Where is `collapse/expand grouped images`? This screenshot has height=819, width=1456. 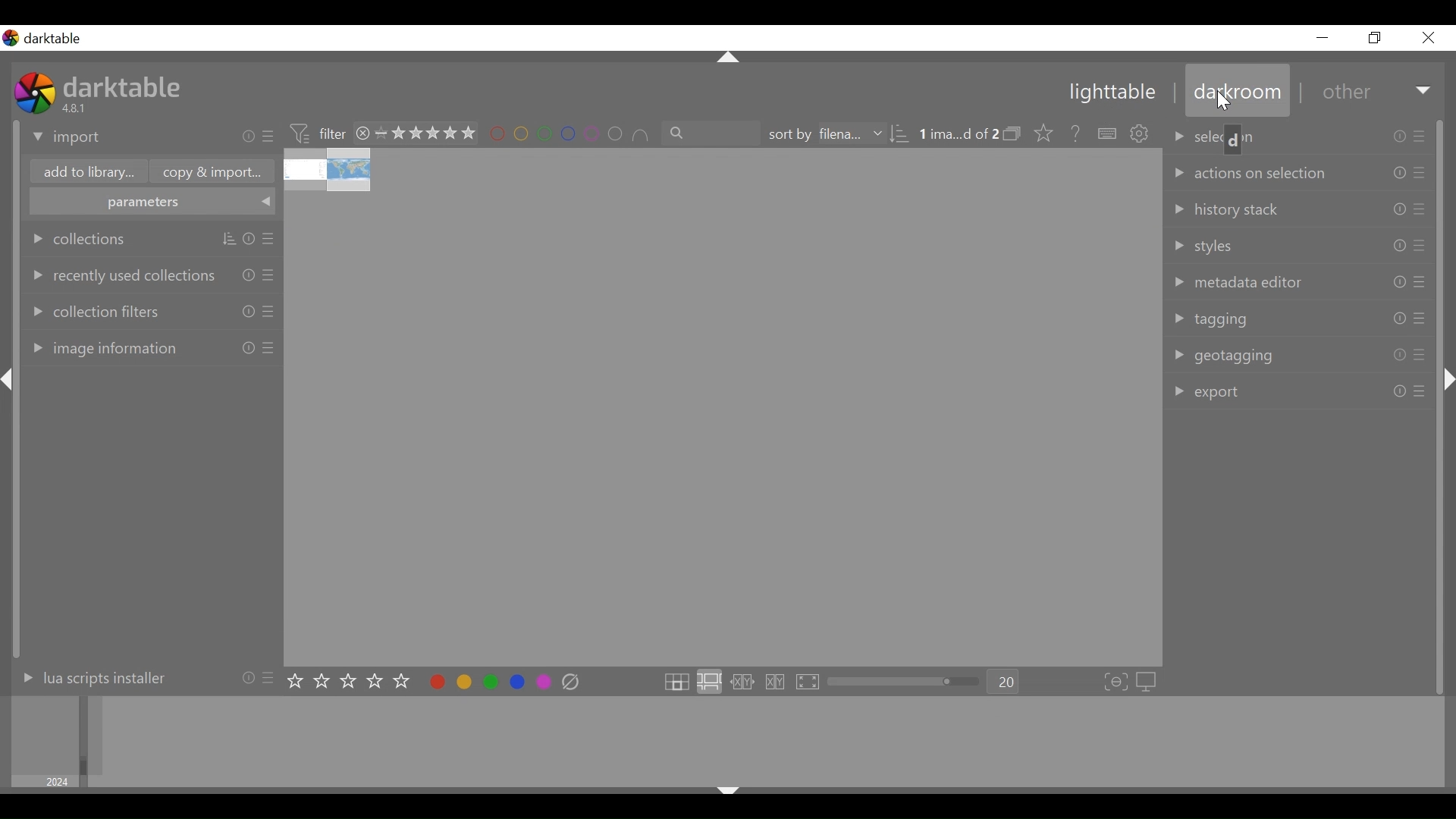 collapse/expand grouped images is located at coordinates (1016, 135).